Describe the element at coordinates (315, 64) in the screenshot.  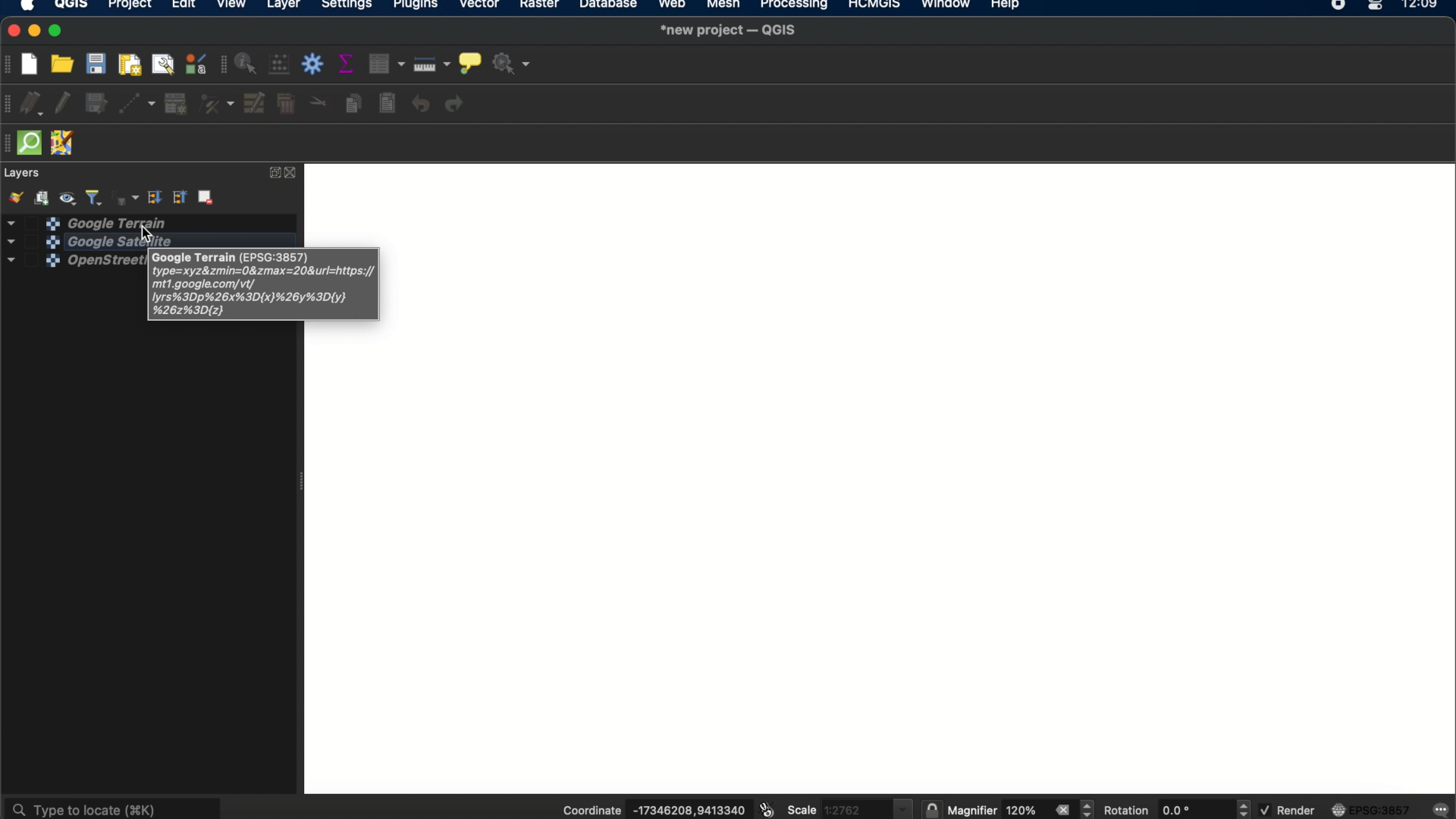
I see `toolbox` at that location.